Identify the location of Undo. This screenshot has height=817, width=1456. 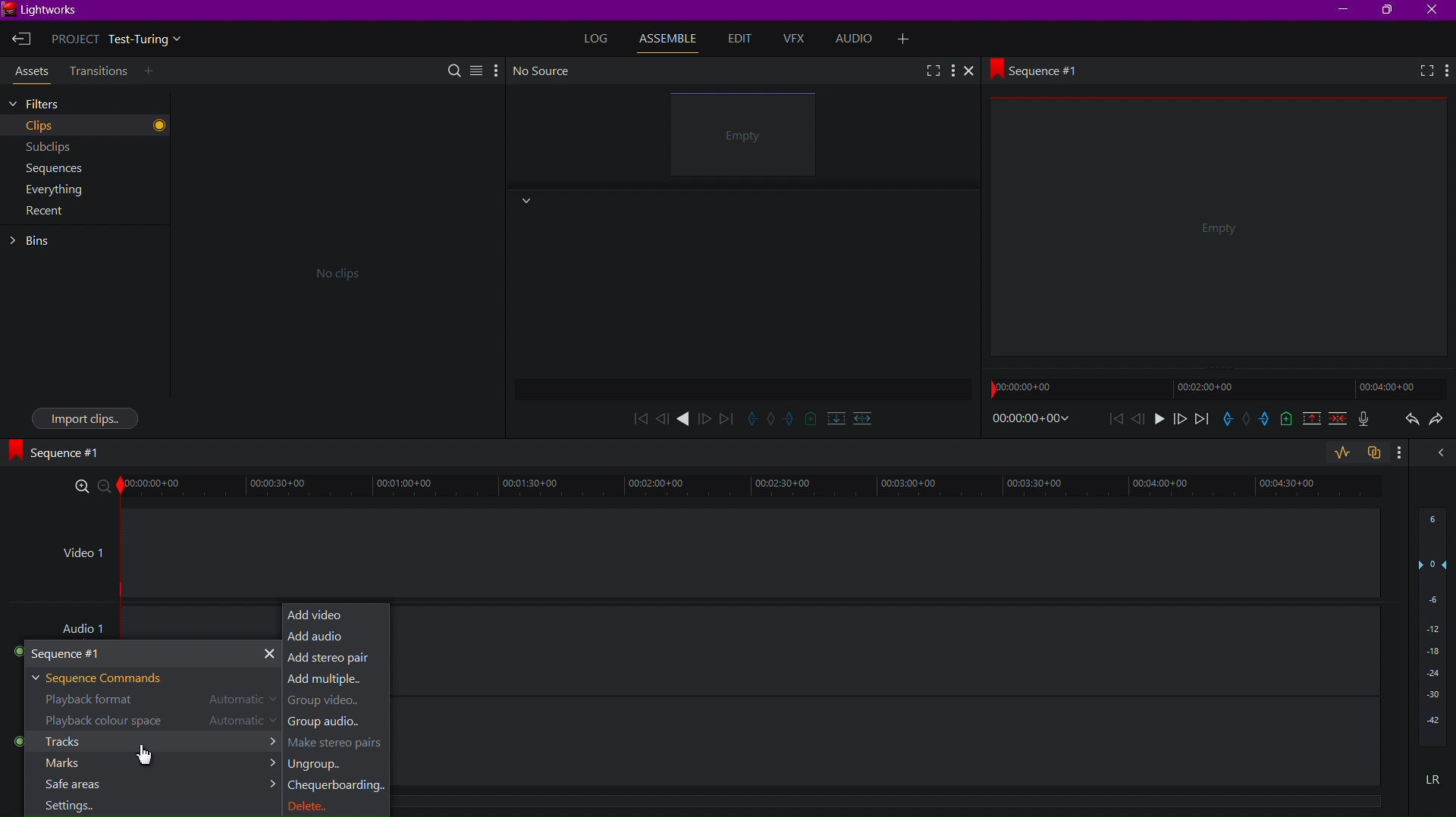
(1408, 421).